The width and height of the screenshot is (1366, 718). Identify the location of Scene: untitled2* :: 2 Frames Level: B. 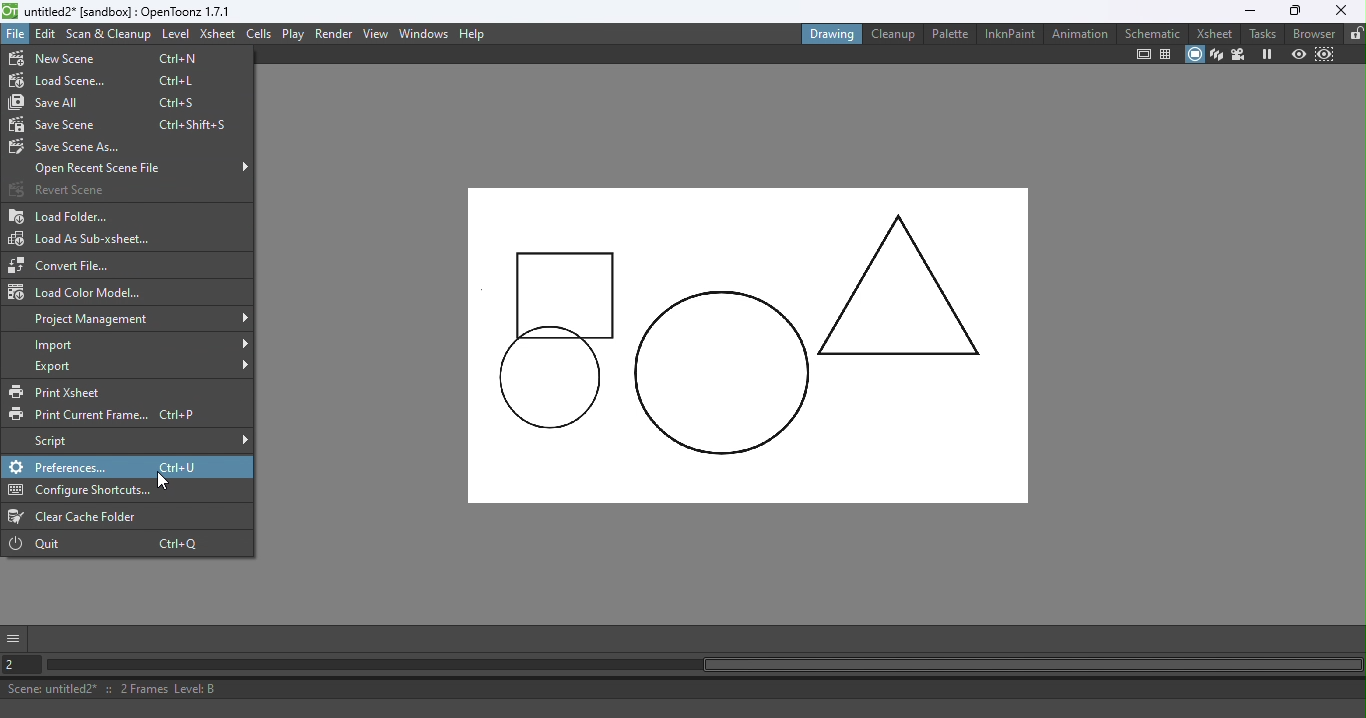
(682, 688).